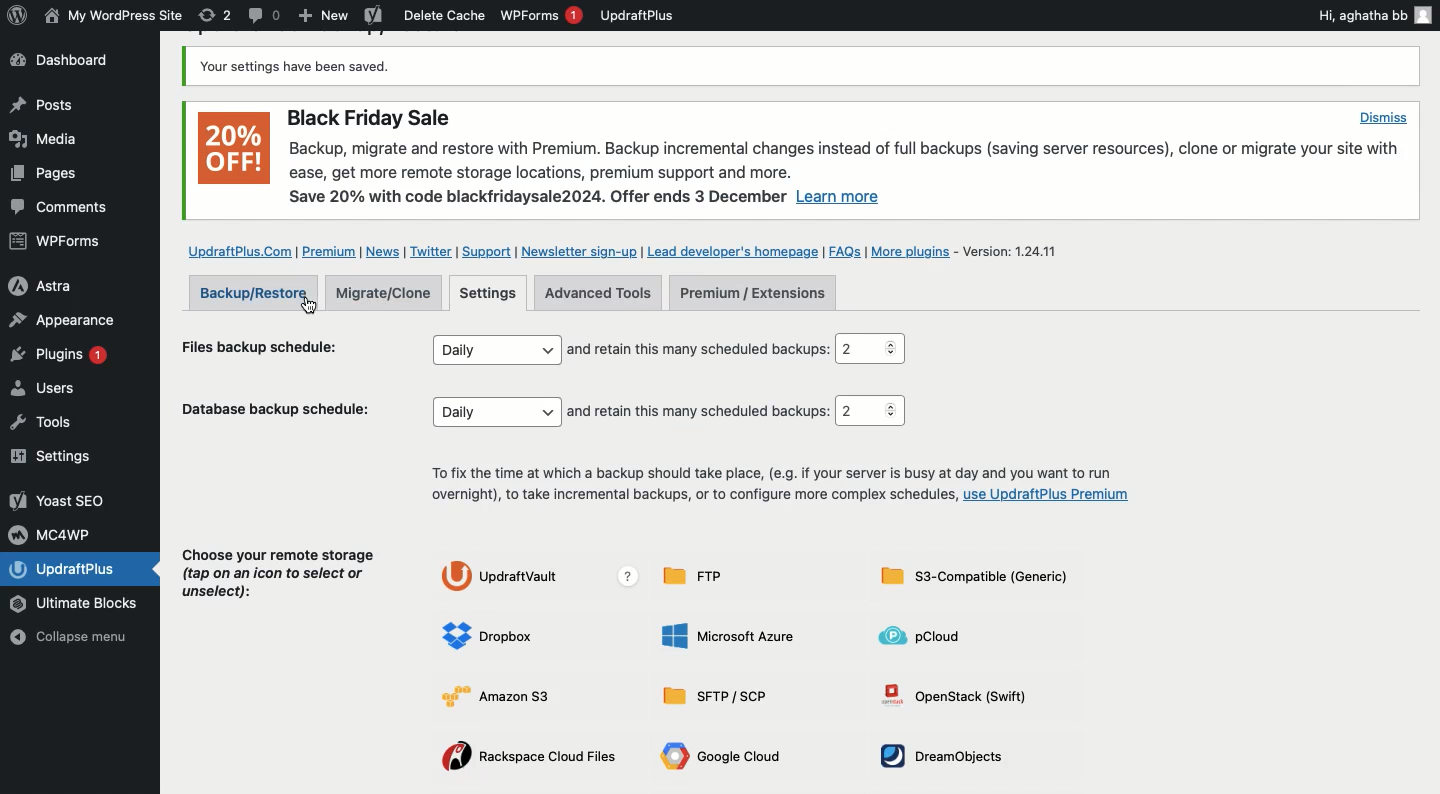  What do you see at coordinates (928, 636) in the screenshot?
I see `pCLoud` at bounding box center [928, 636].